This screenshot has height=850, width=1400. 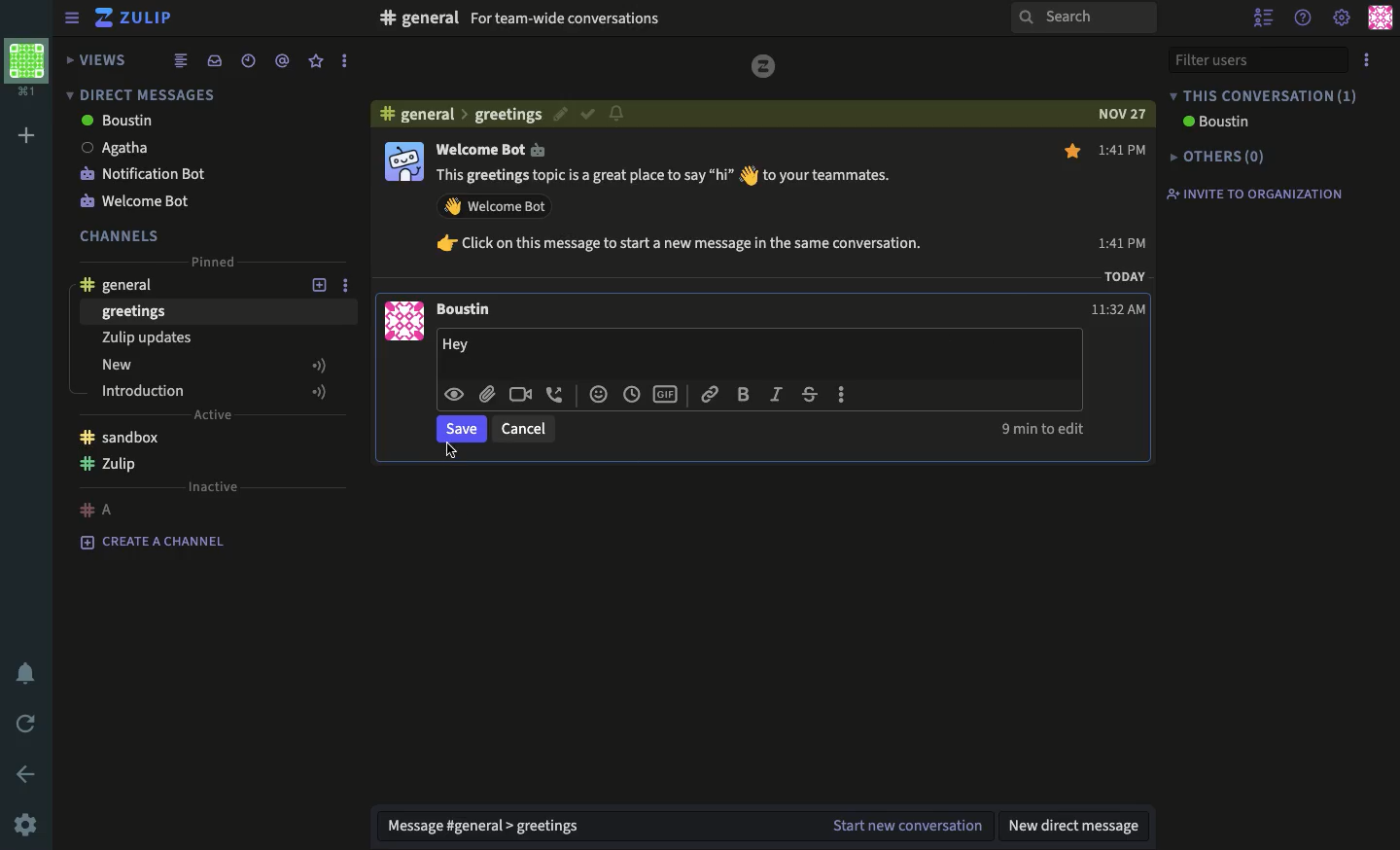 What do you see at coordinates (493, 827) in the screenshot?
I see `message general` at bounding box center [493, 827].